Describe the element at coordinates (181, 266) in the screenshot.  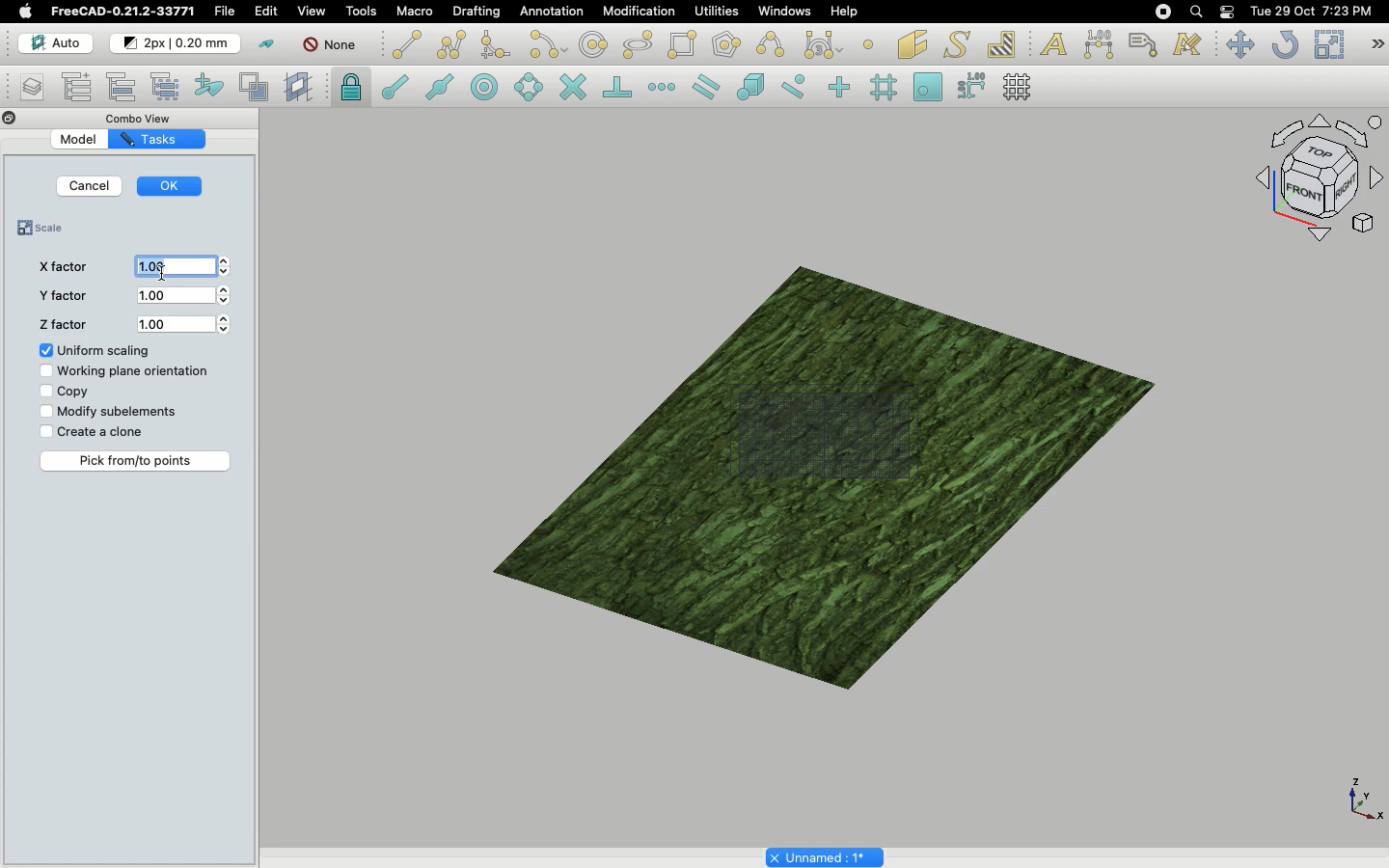
I see `100` at that location.